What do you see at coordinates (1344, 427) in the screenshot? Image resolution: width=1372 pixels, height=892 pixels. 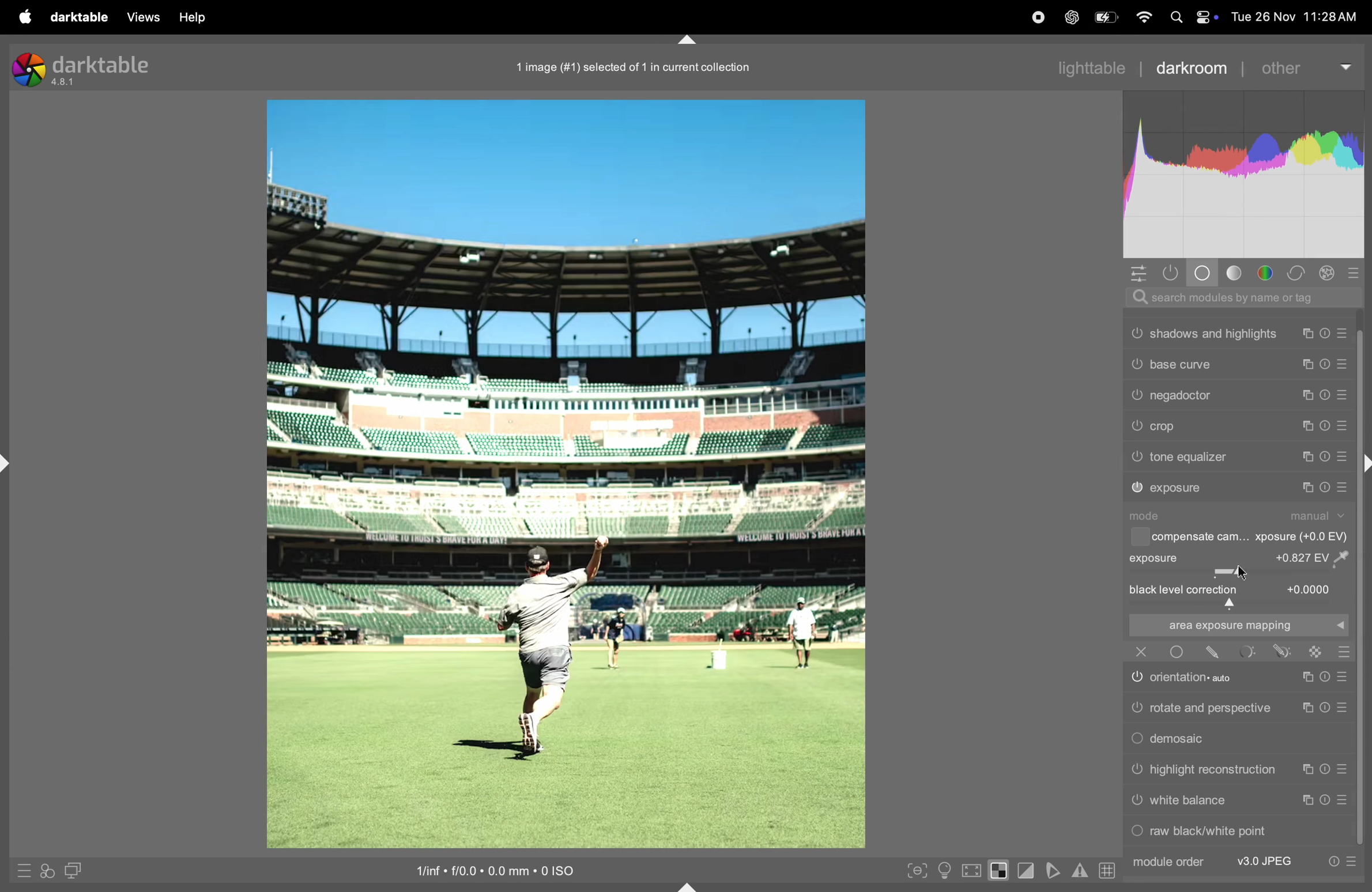 I see `Presets ` at bounding box center [1344, 427].